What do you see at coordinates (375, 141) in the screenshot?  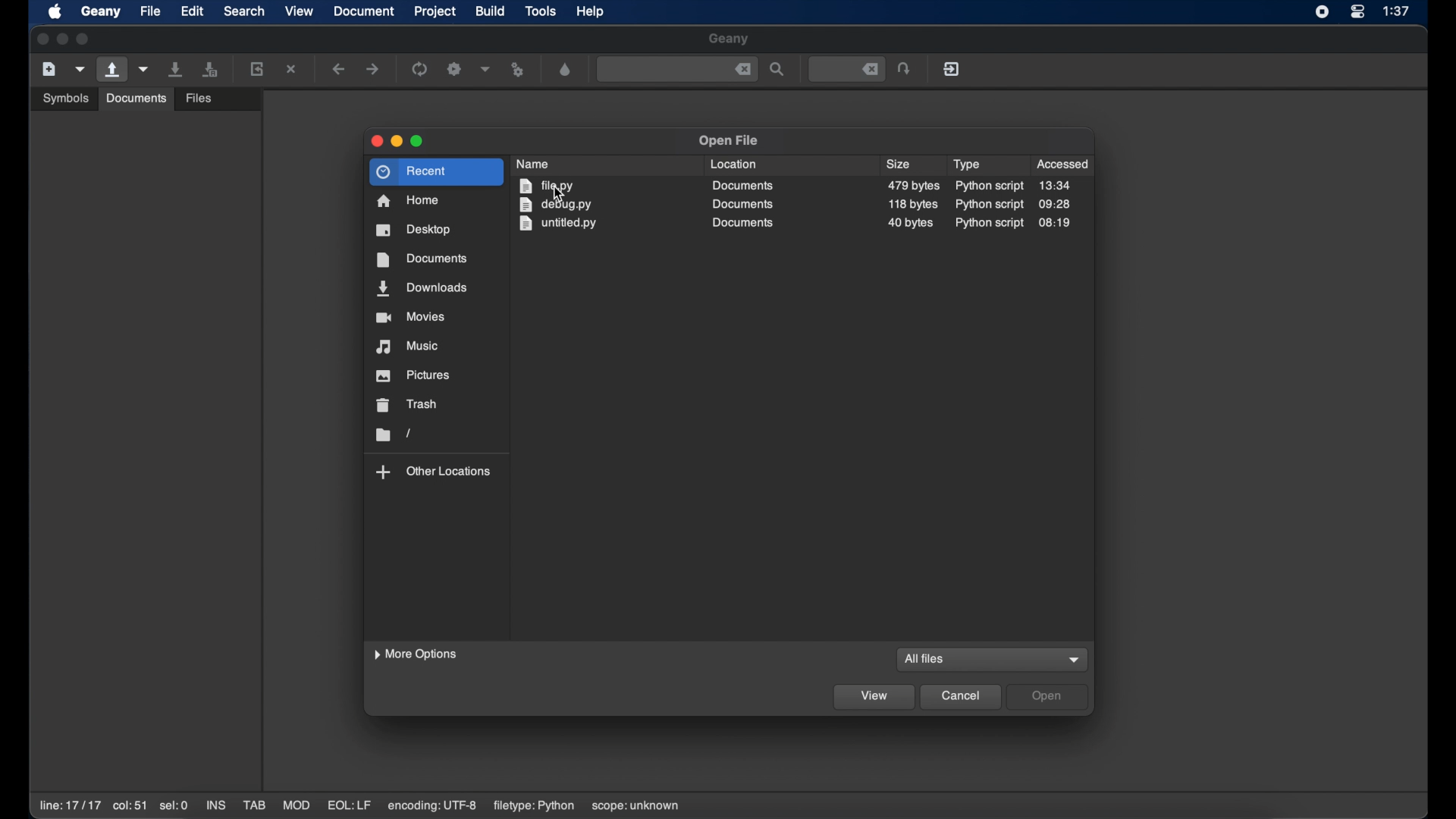 I see `close` at bounding box center [375, 141].